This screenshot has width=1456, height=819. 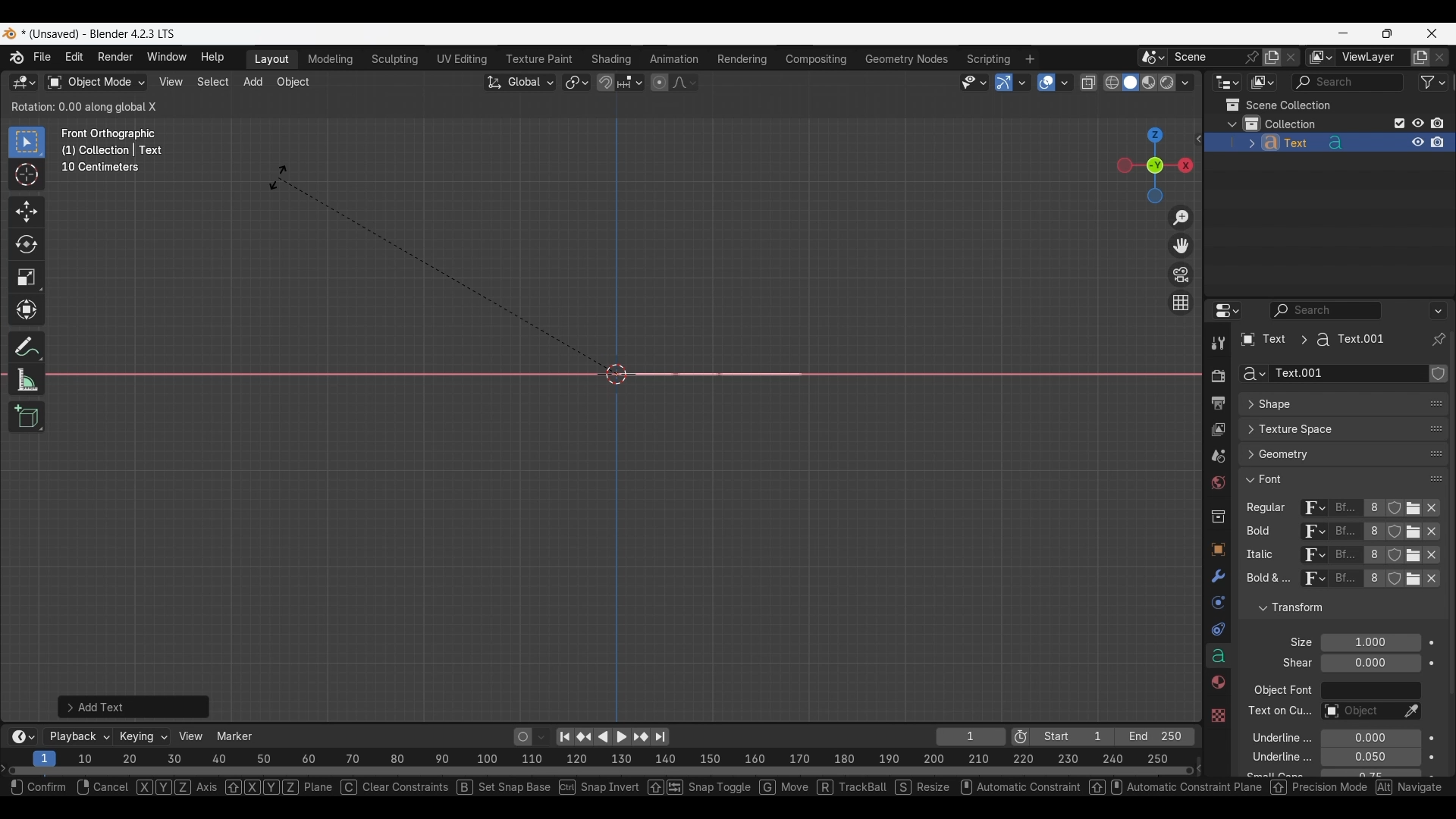 I want to click on Object menu, so click(x=294, y=83).